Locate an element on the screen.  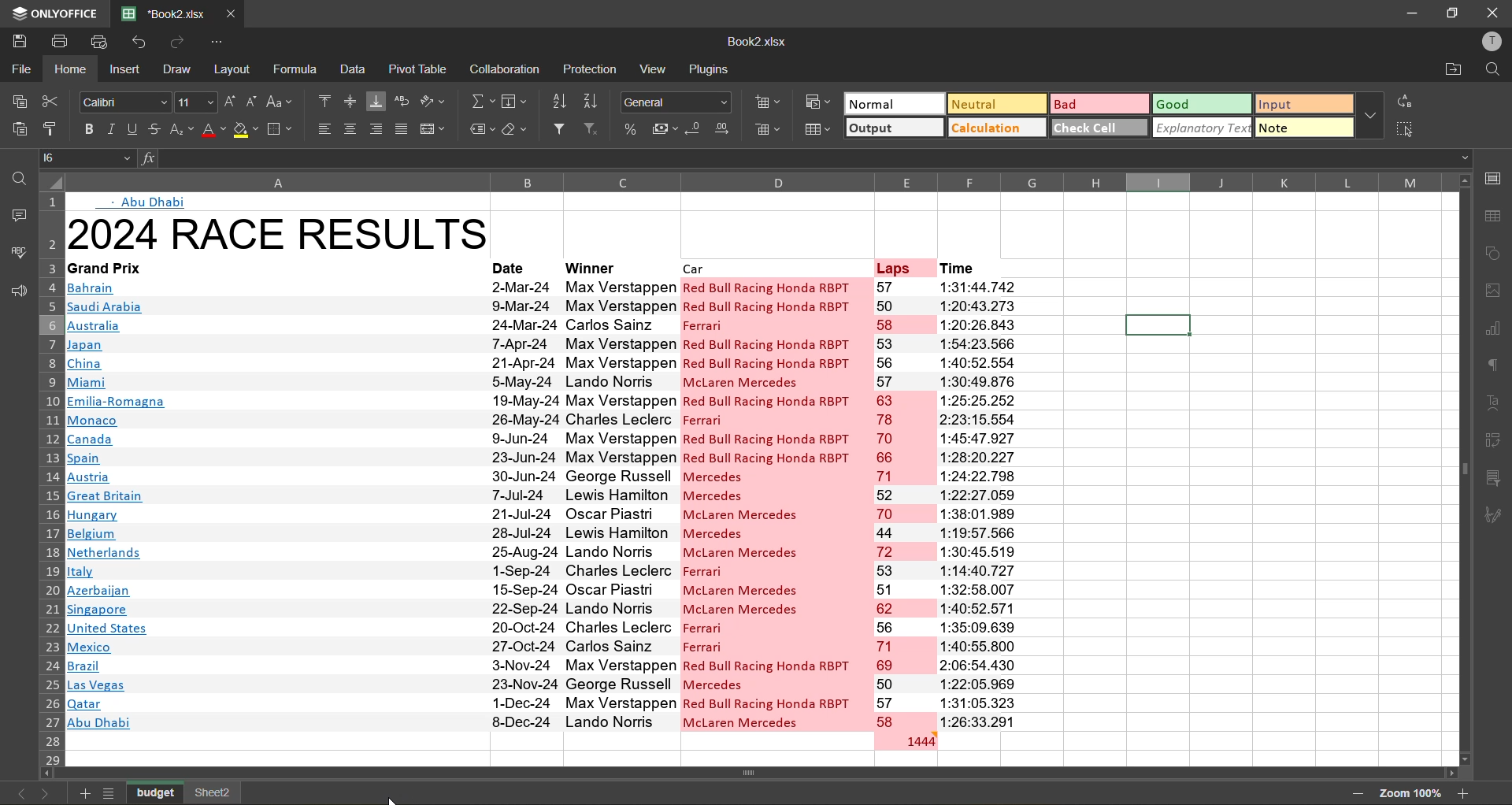
normal is located at coordinates (892, 105).